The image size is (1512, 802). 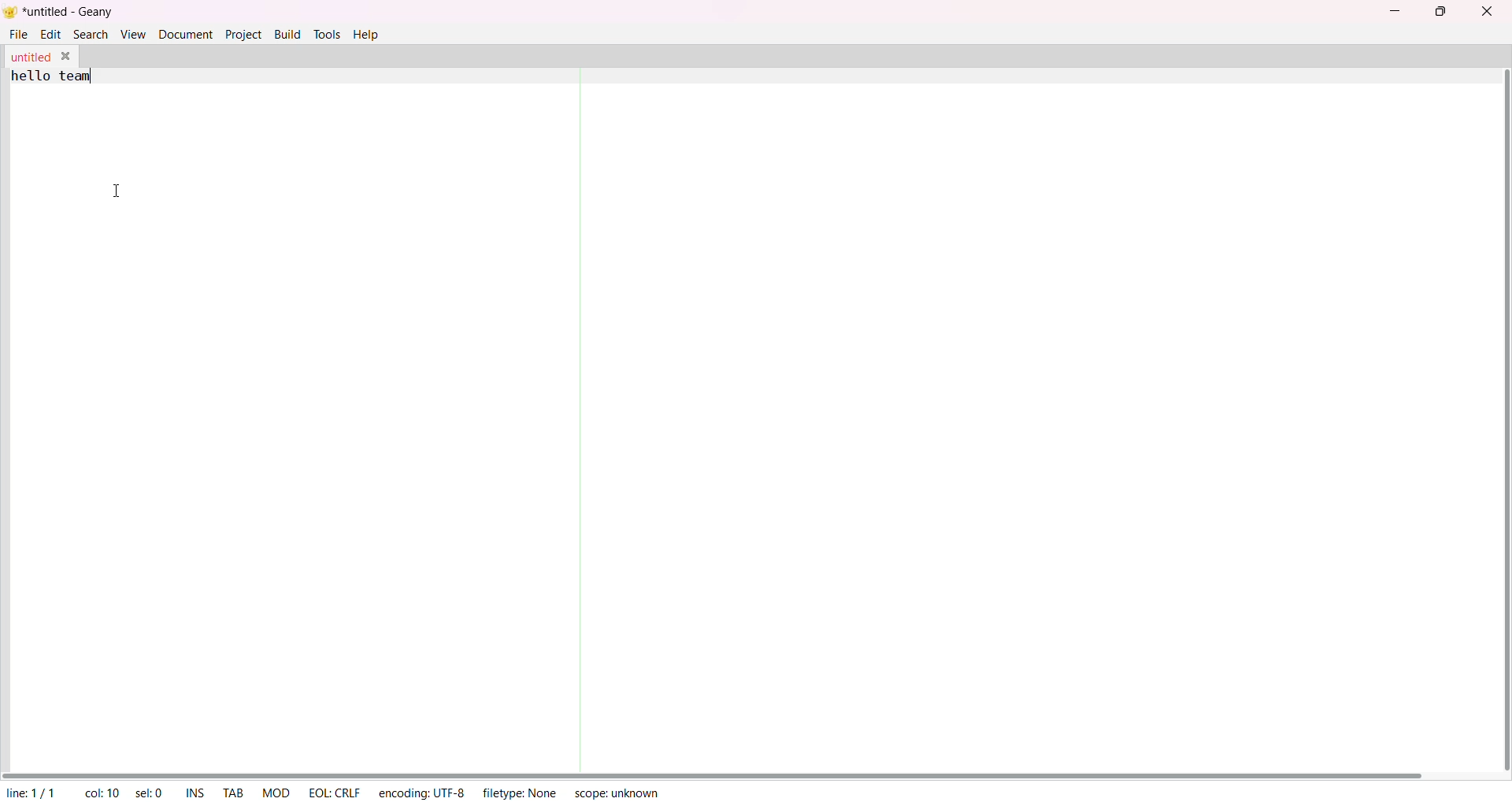 I want to click on encoding: UTF-8, so click(x=421, y=793).